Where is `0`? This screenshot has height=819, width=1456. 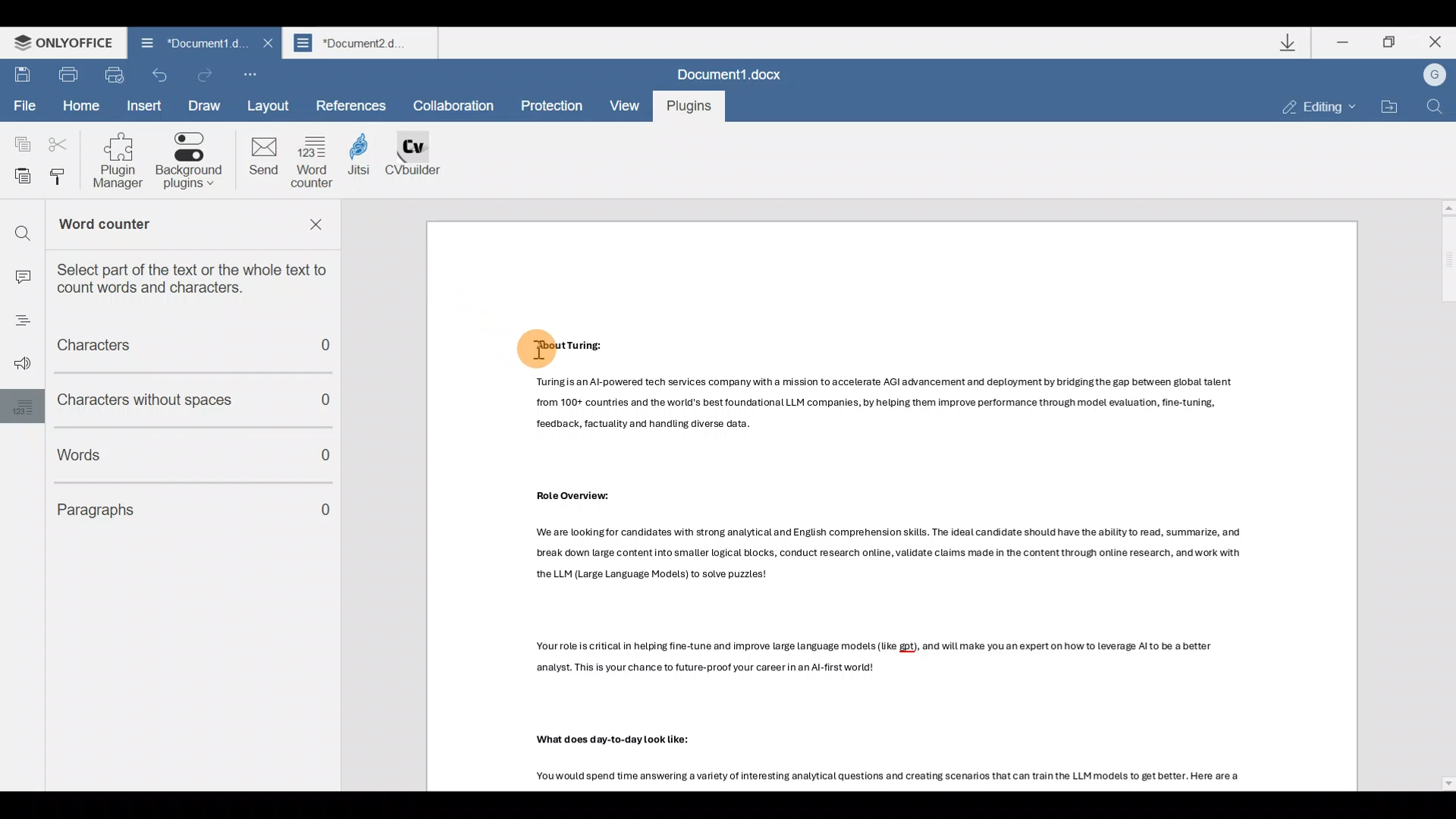 0 is located at coordinates (327, 458).